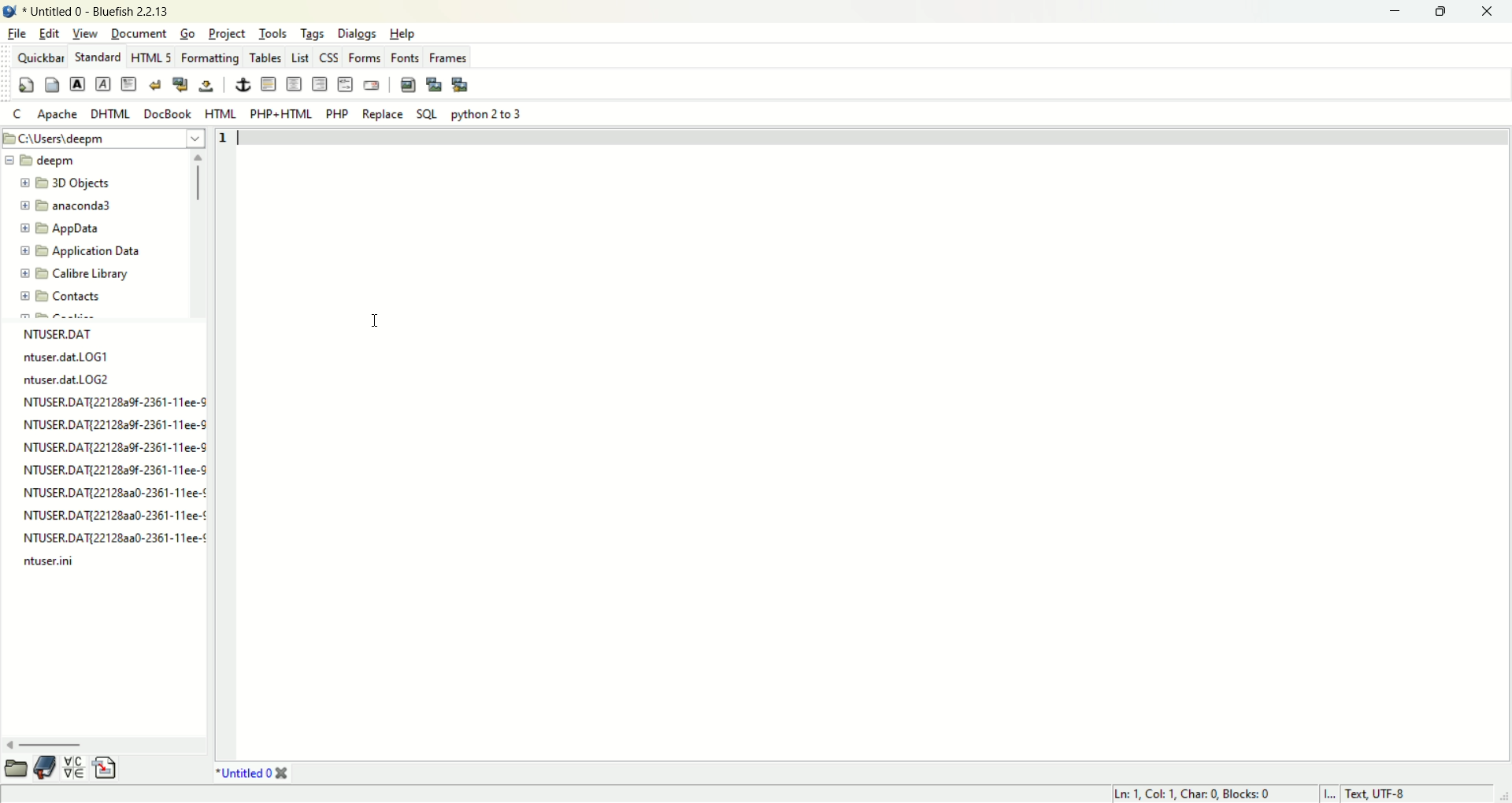 The width and height of the screenshot is (1512, 803). Describe the element at coordinates (1330, 794) in the screenshot. I see `I` at that location.